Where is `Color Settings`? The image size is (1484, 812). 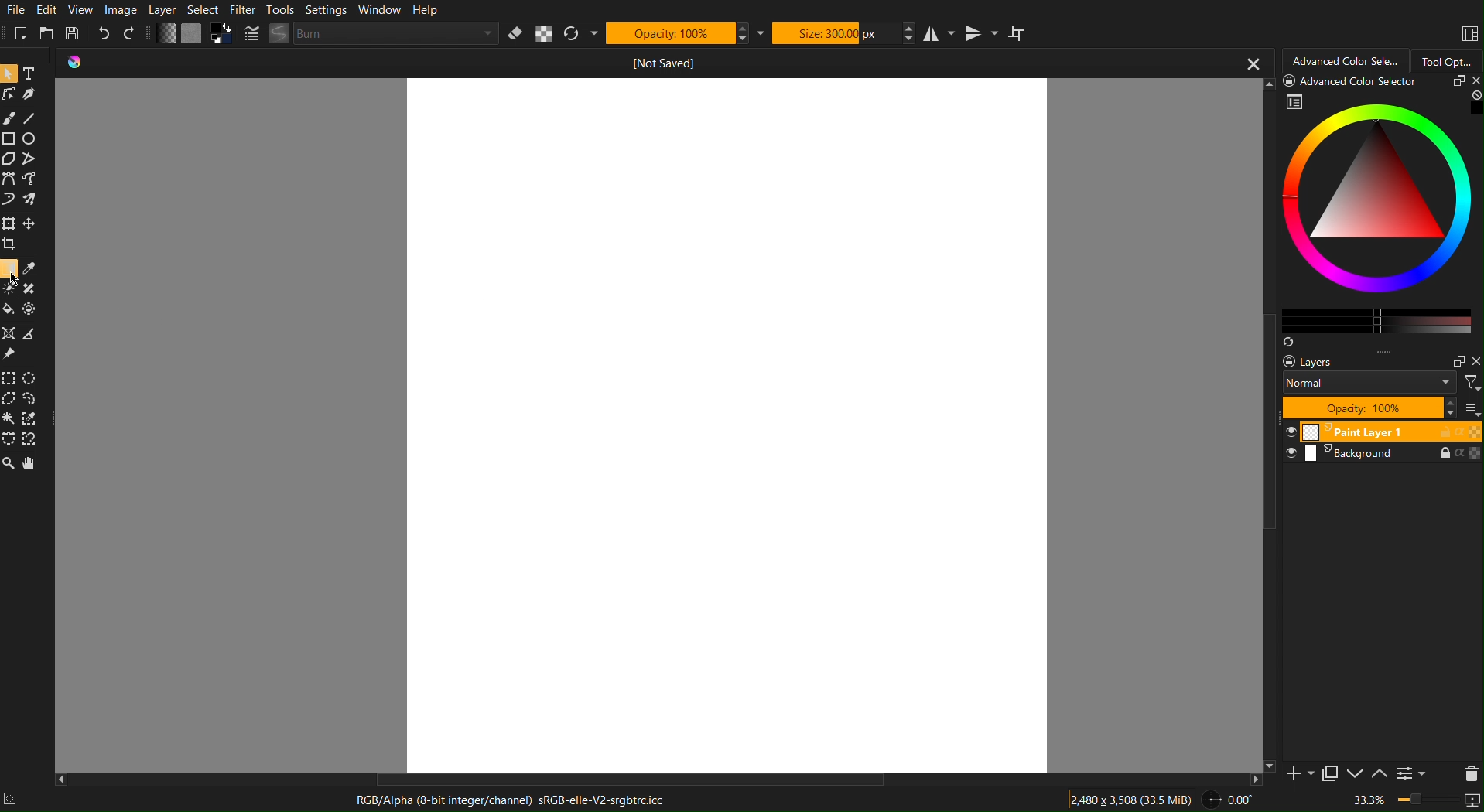
Color Settings is located at coordinates (192, 36).